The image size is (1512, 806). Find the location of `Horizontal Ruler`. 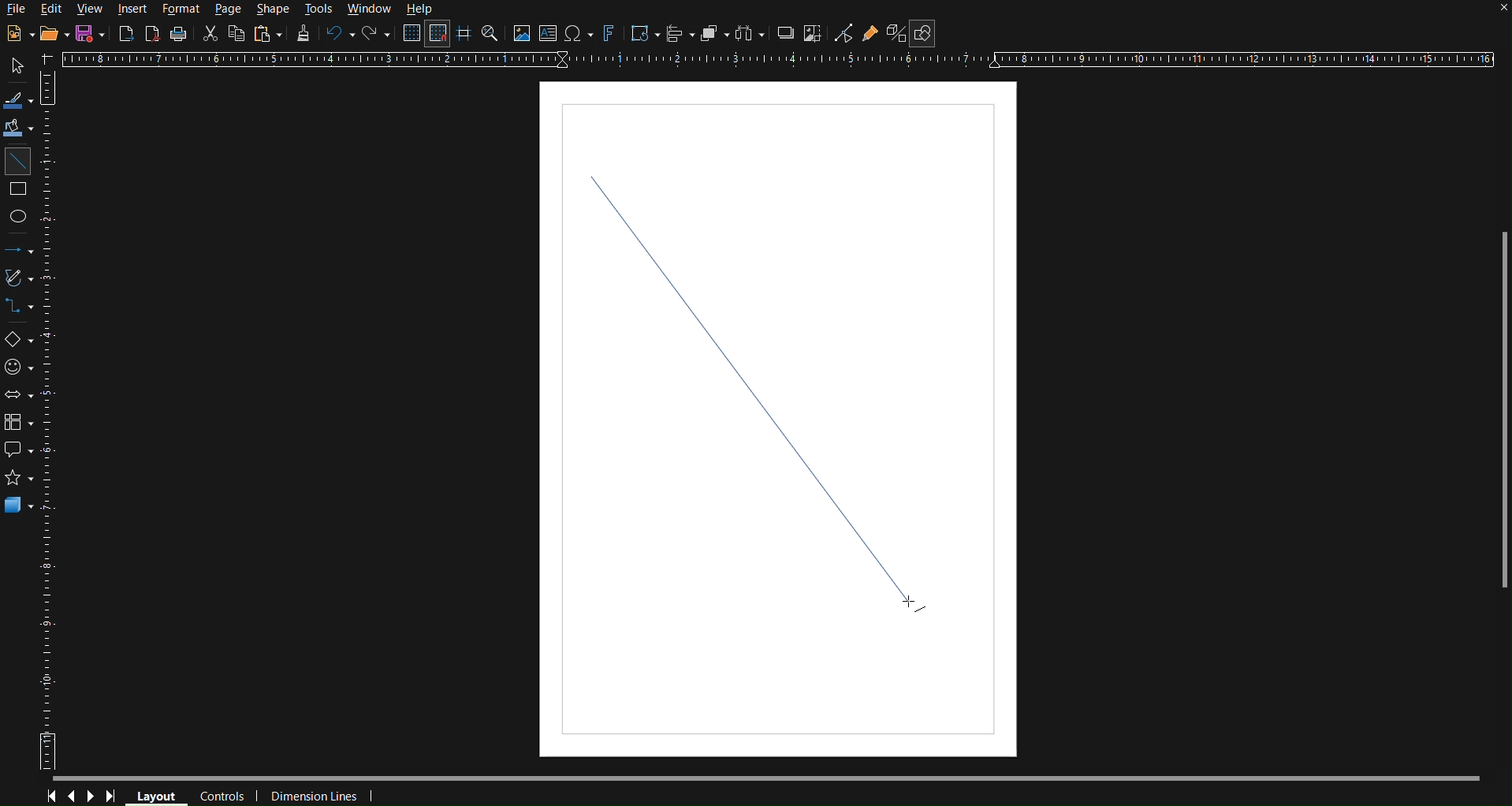

Horizontal Ruler is located at coordinates (782, 61).